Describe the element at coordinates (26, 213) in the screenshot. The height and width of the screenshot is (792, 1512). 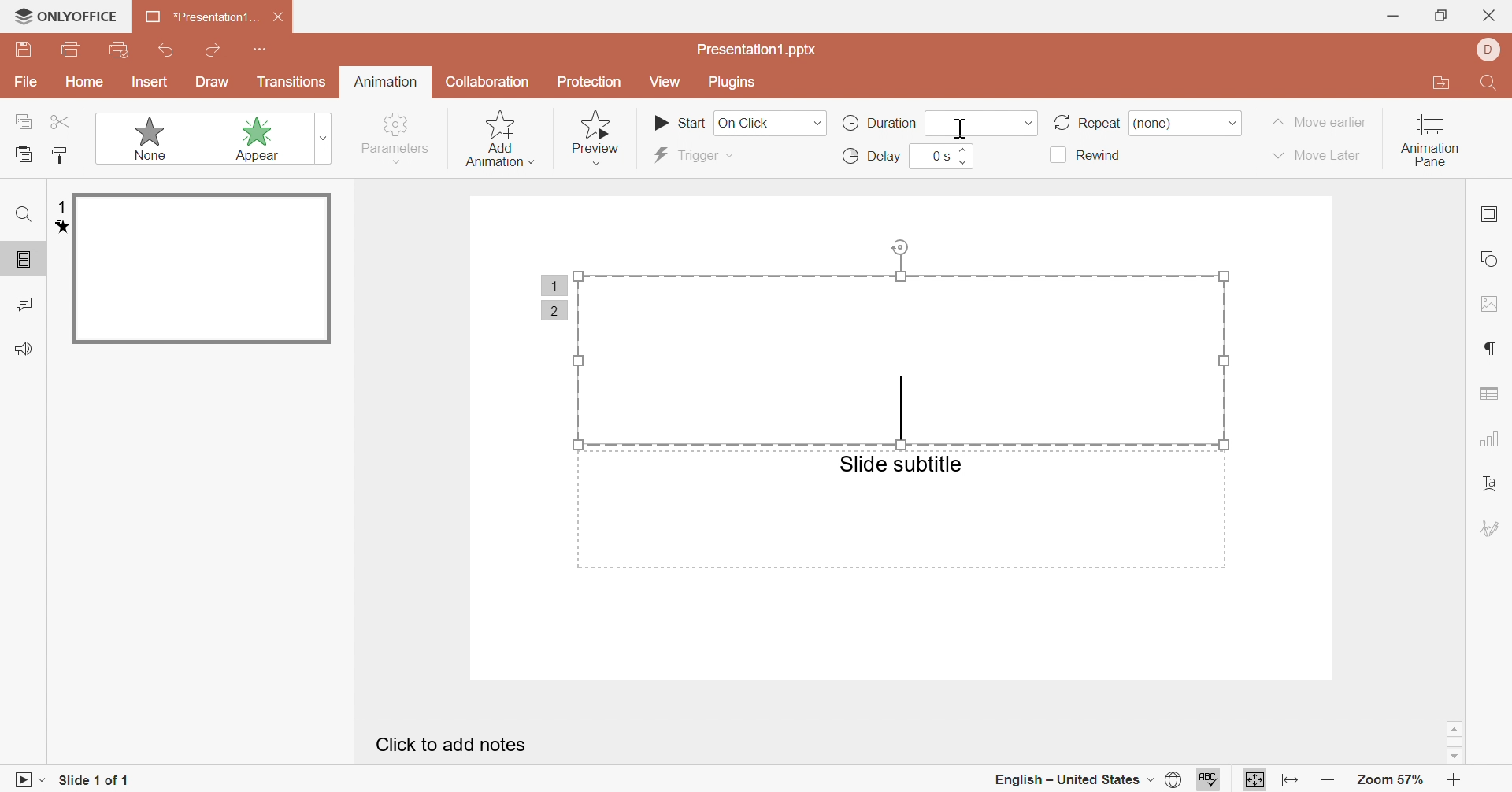
I see `find` at that location.